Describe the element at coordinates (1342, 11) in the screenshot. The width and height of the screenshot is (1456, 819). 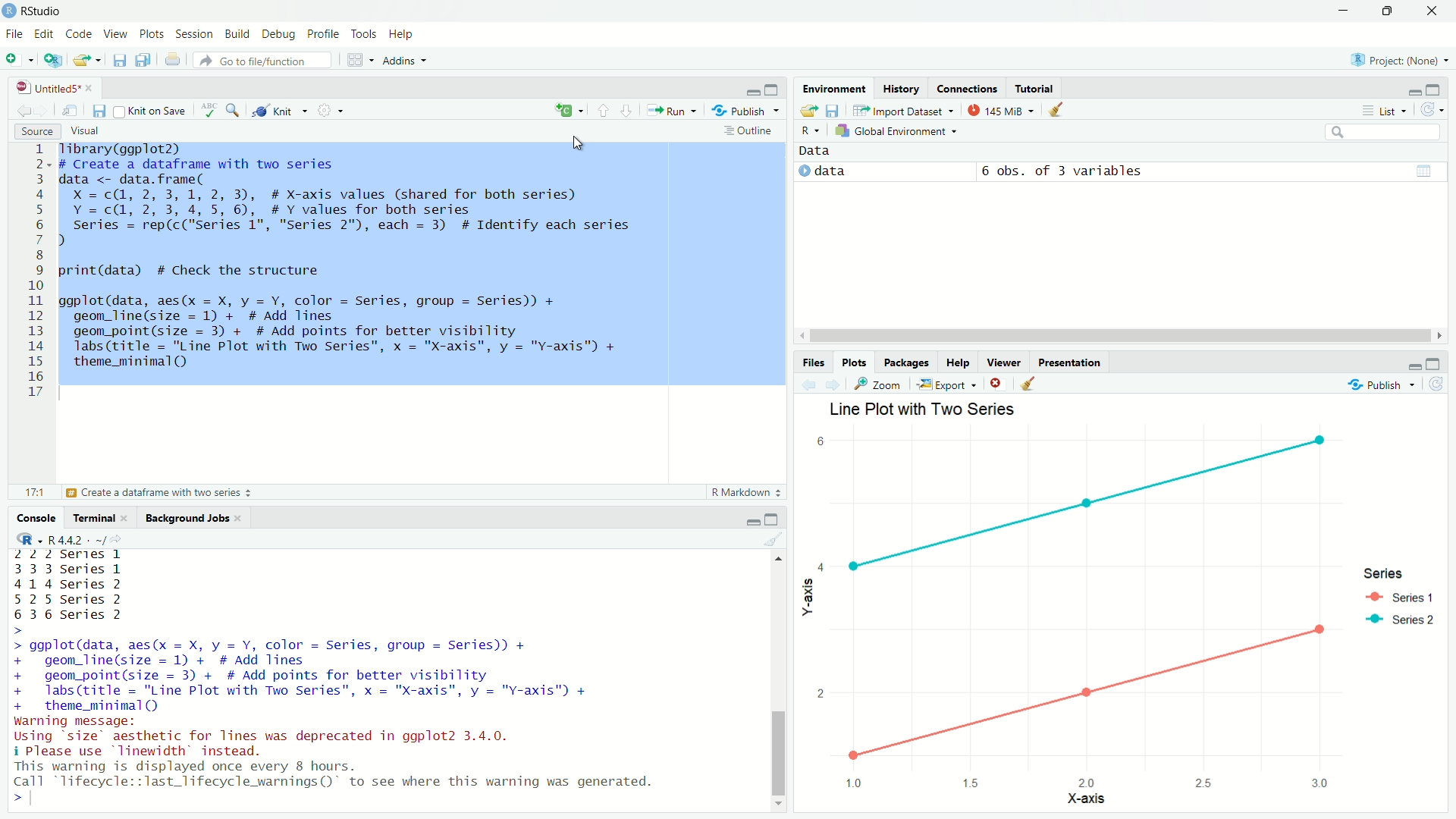
I see `minimize` at that location.